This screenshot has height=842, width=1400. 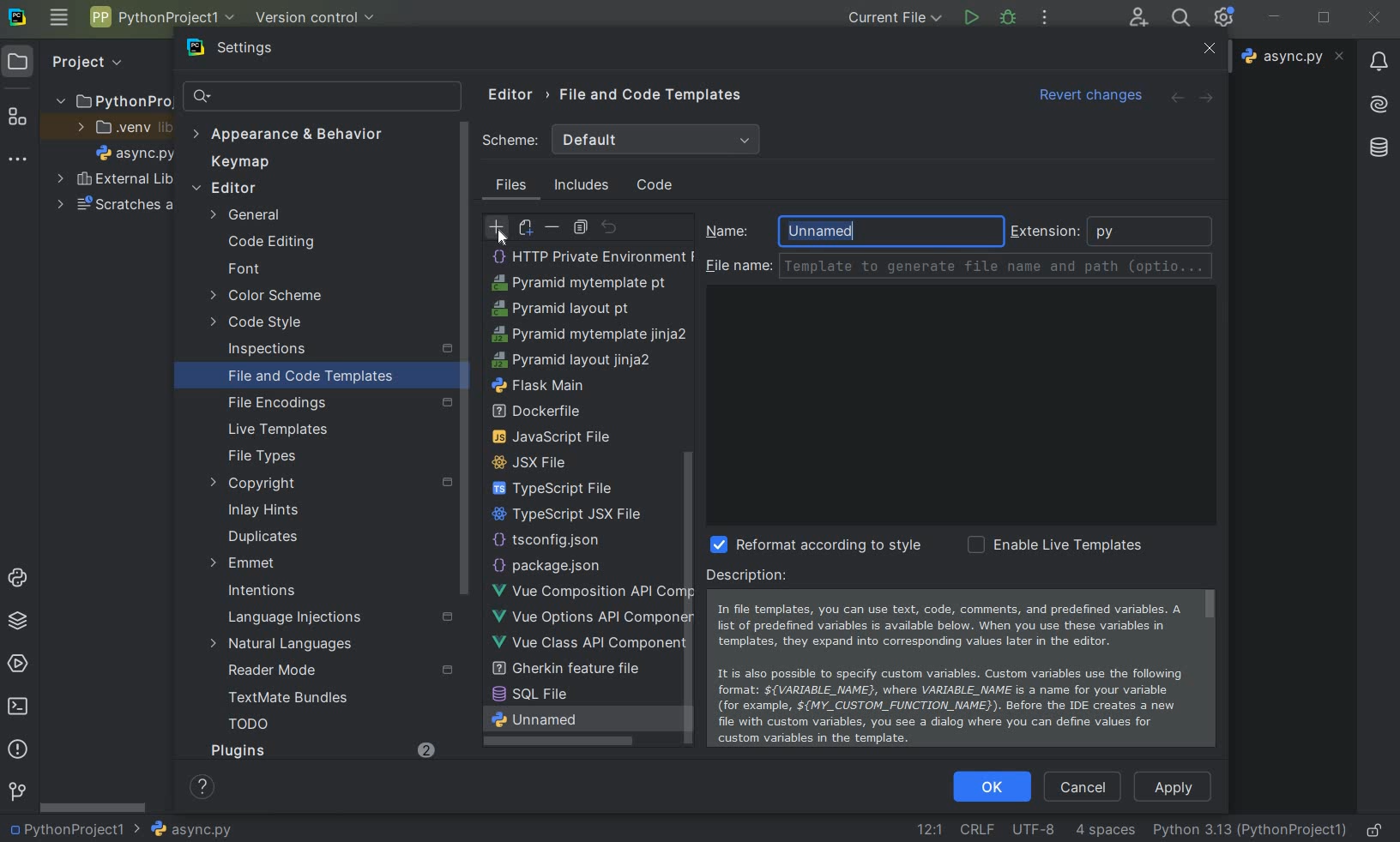 I want to click on files, so click(x=513, y=187).